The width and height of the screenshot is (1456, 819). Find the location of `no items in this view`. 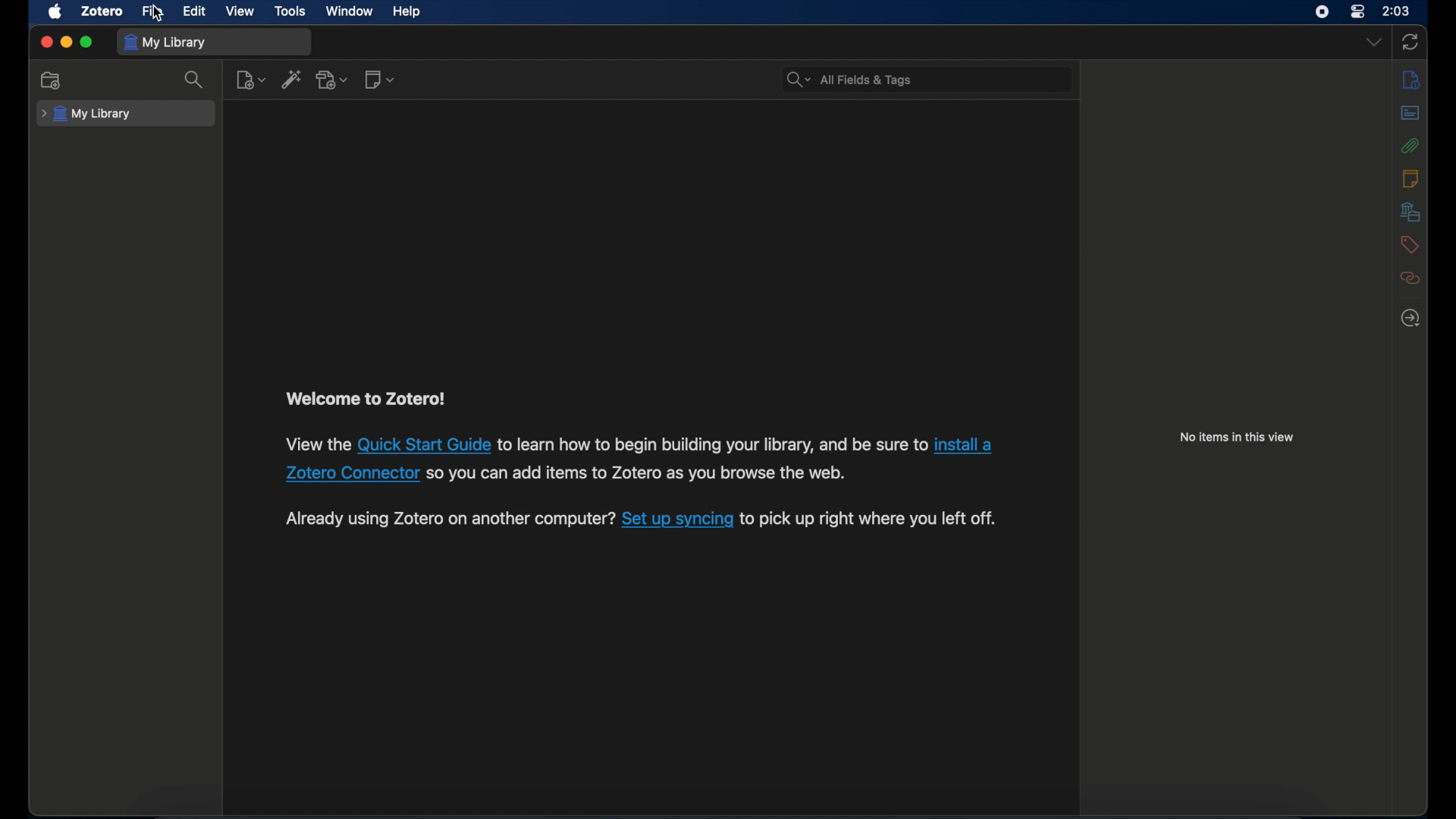

no items in this view is located at coordinates (1238, 437).